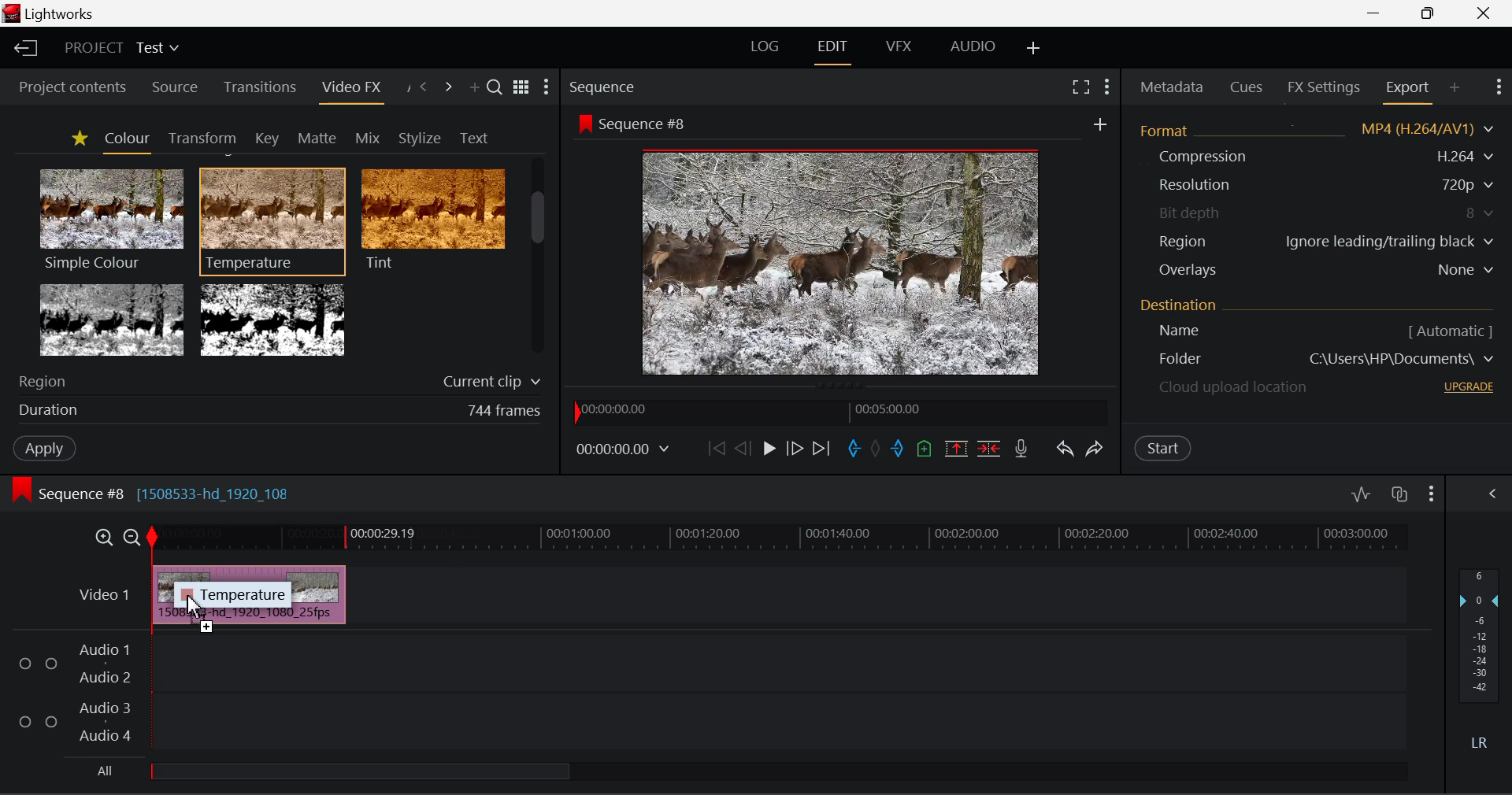 Image resolution: width=1512 pixels, height=795 pixels. What do you see at coordinates (258, 87) in the screenshot?
I see `Transitions` at bounding box center [258, 87].